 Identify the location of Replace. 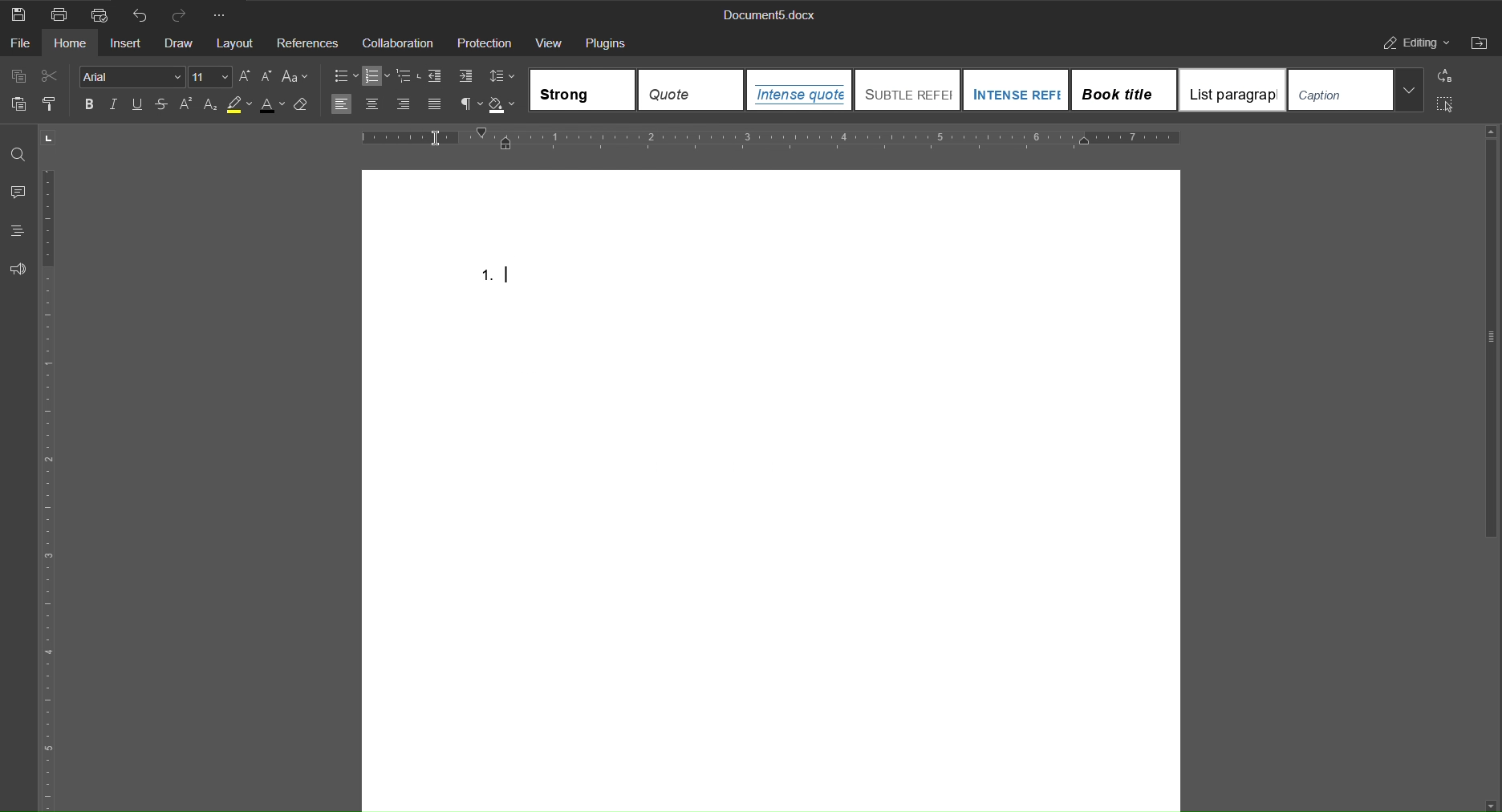
(1444, 77).